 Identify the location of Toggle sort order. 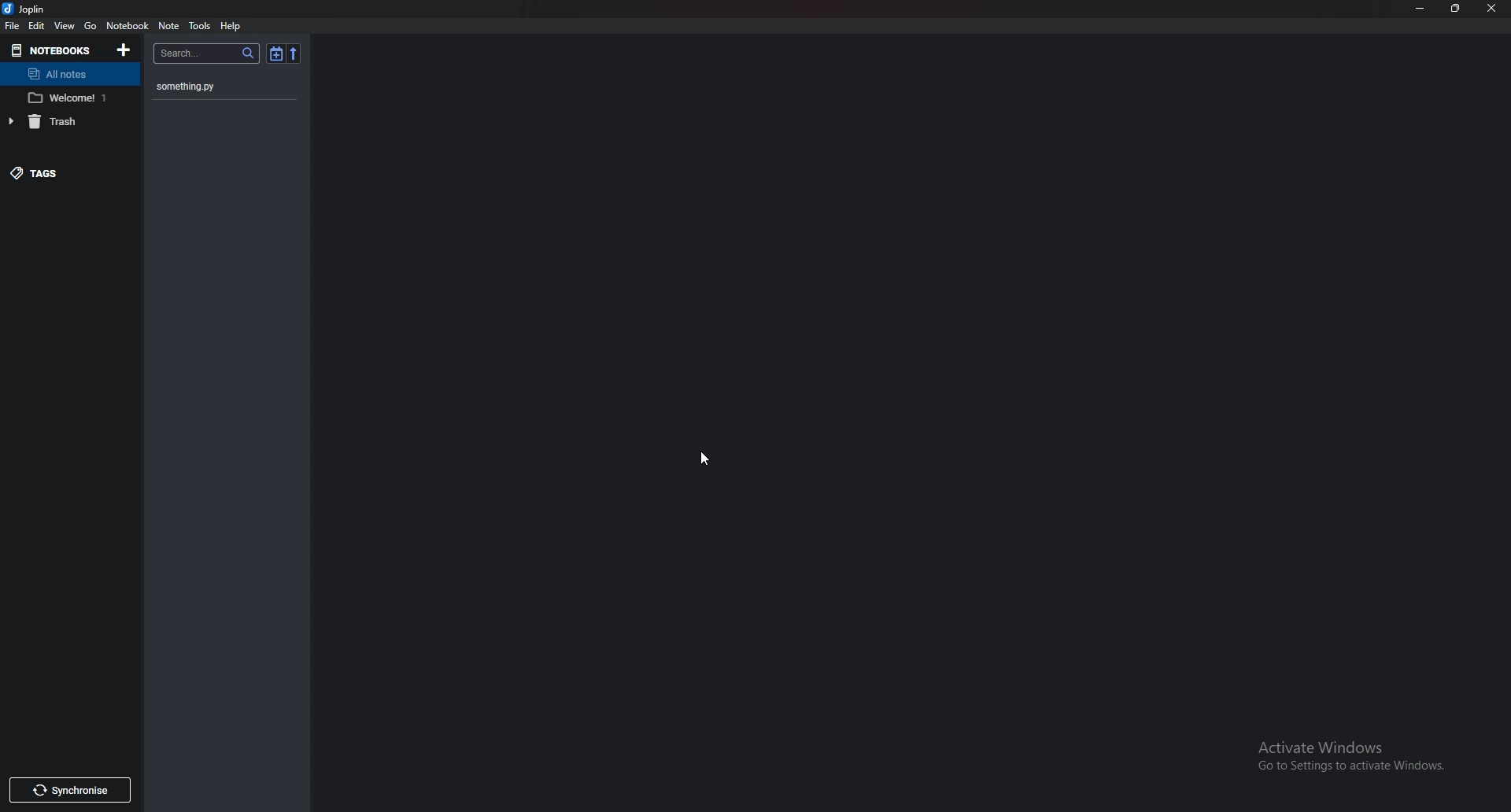
(275, 53).